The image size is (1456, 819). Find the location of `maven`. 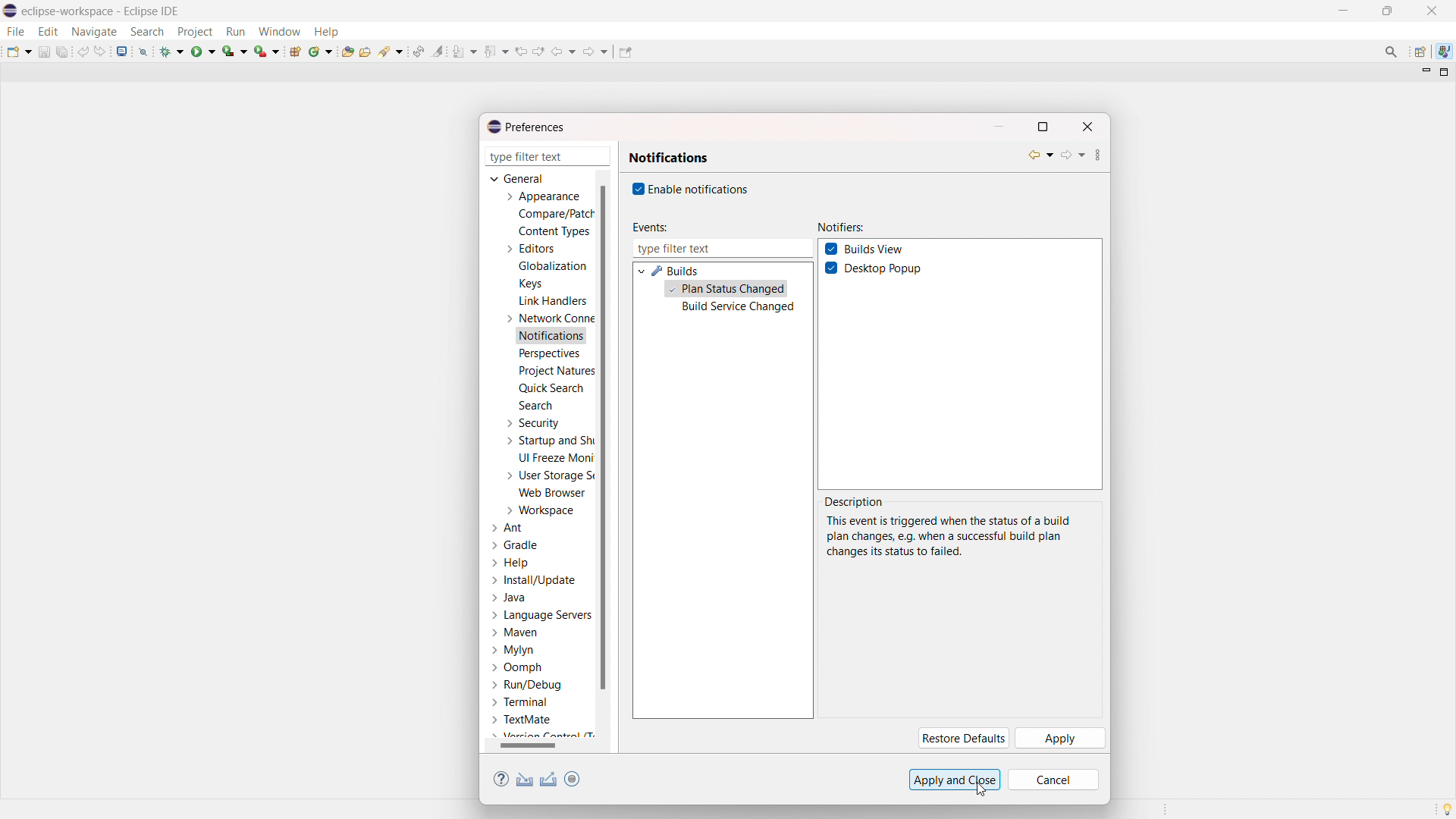

maven is located at coordinates (514, 633).